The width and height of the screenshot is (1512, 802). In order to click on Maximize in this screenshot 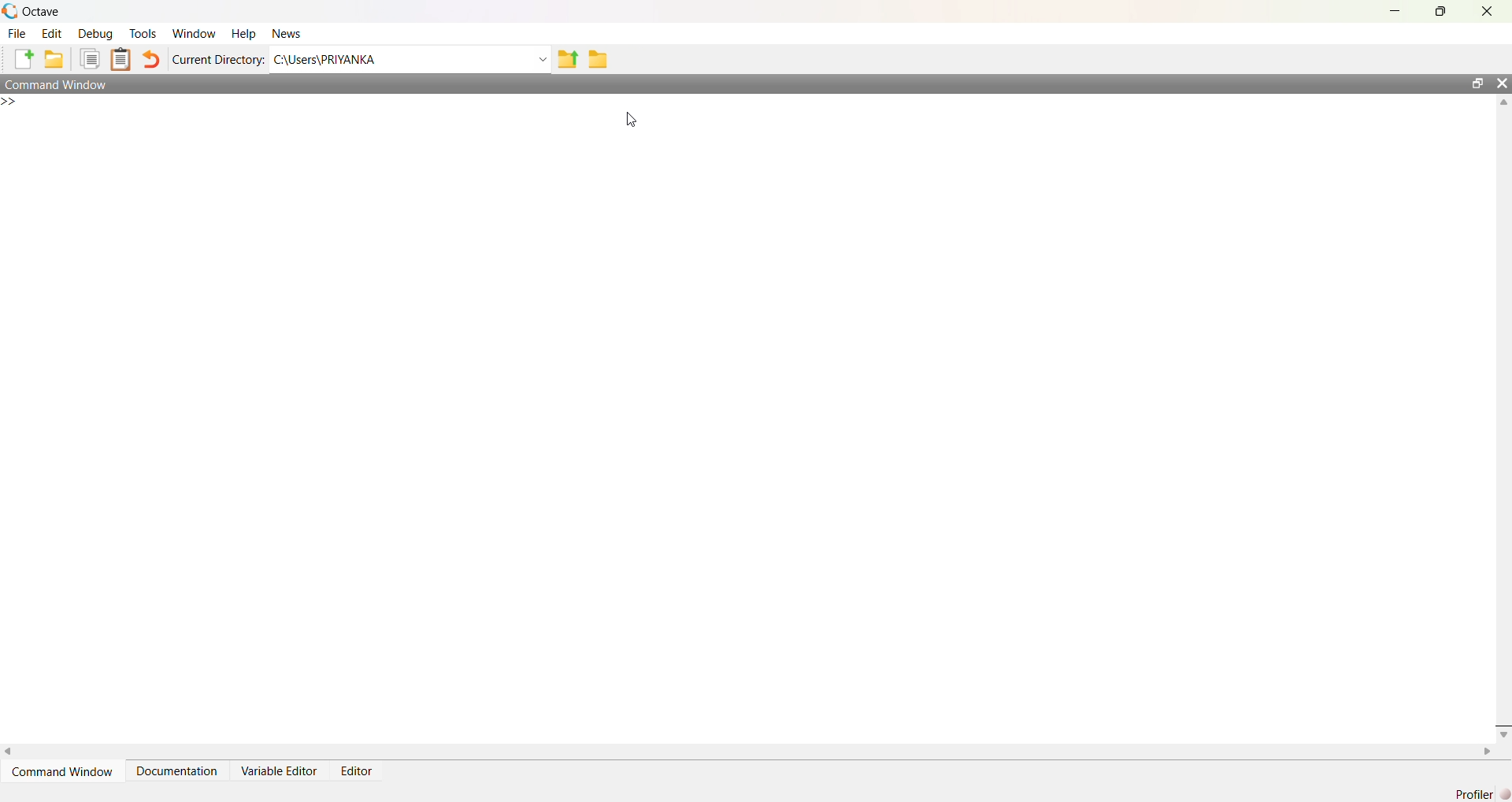, I will do `click(1480, 84)`.